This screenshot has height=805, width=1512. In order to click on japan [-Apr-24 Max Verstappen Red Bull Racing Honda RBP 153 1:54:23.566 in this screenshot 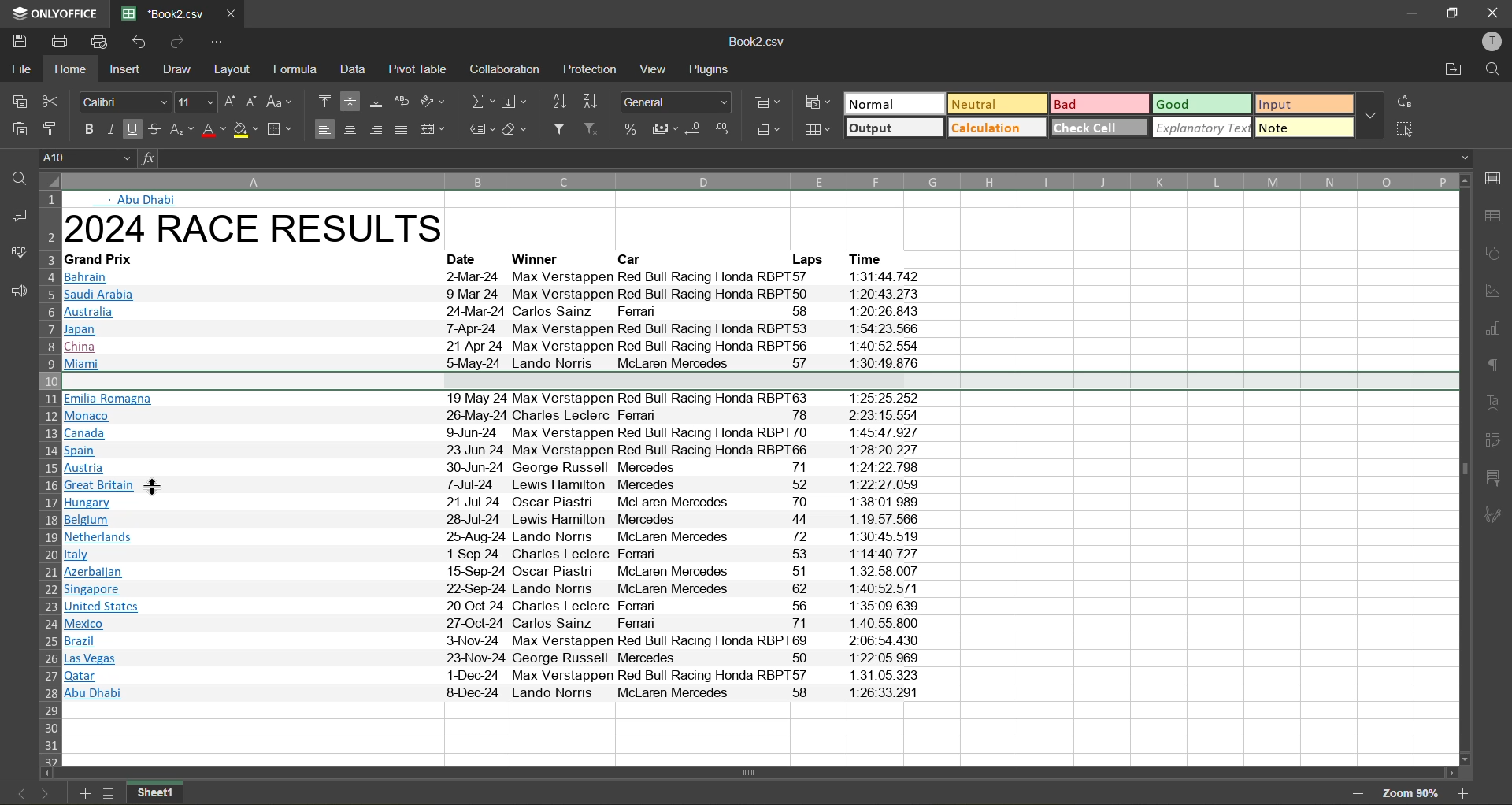, I will do `click(495, 332)`.